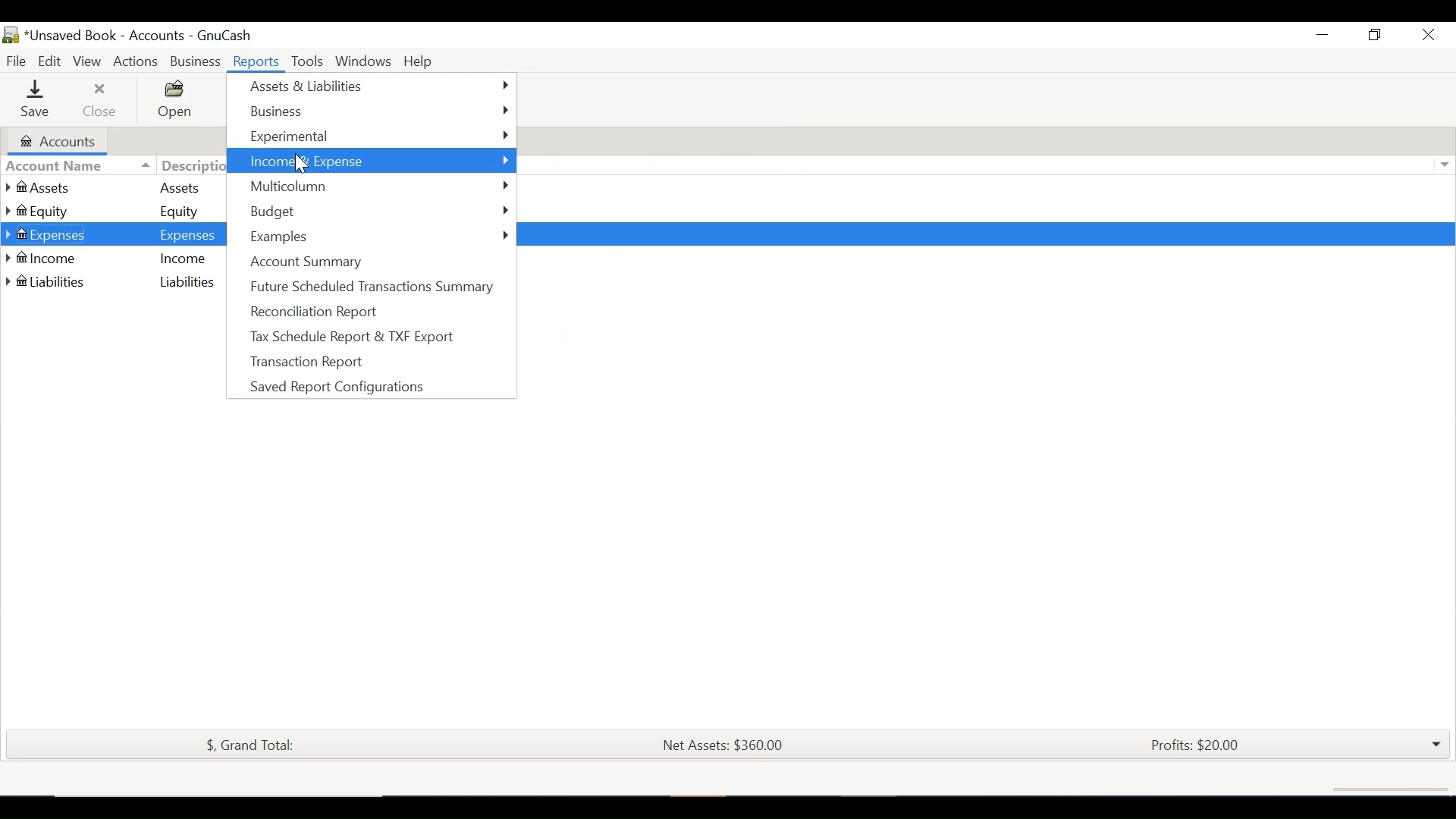  What do you see at coordinates (303, 262) in the screenshot?
I see `Account Summary` at bounding box center [303, 262].